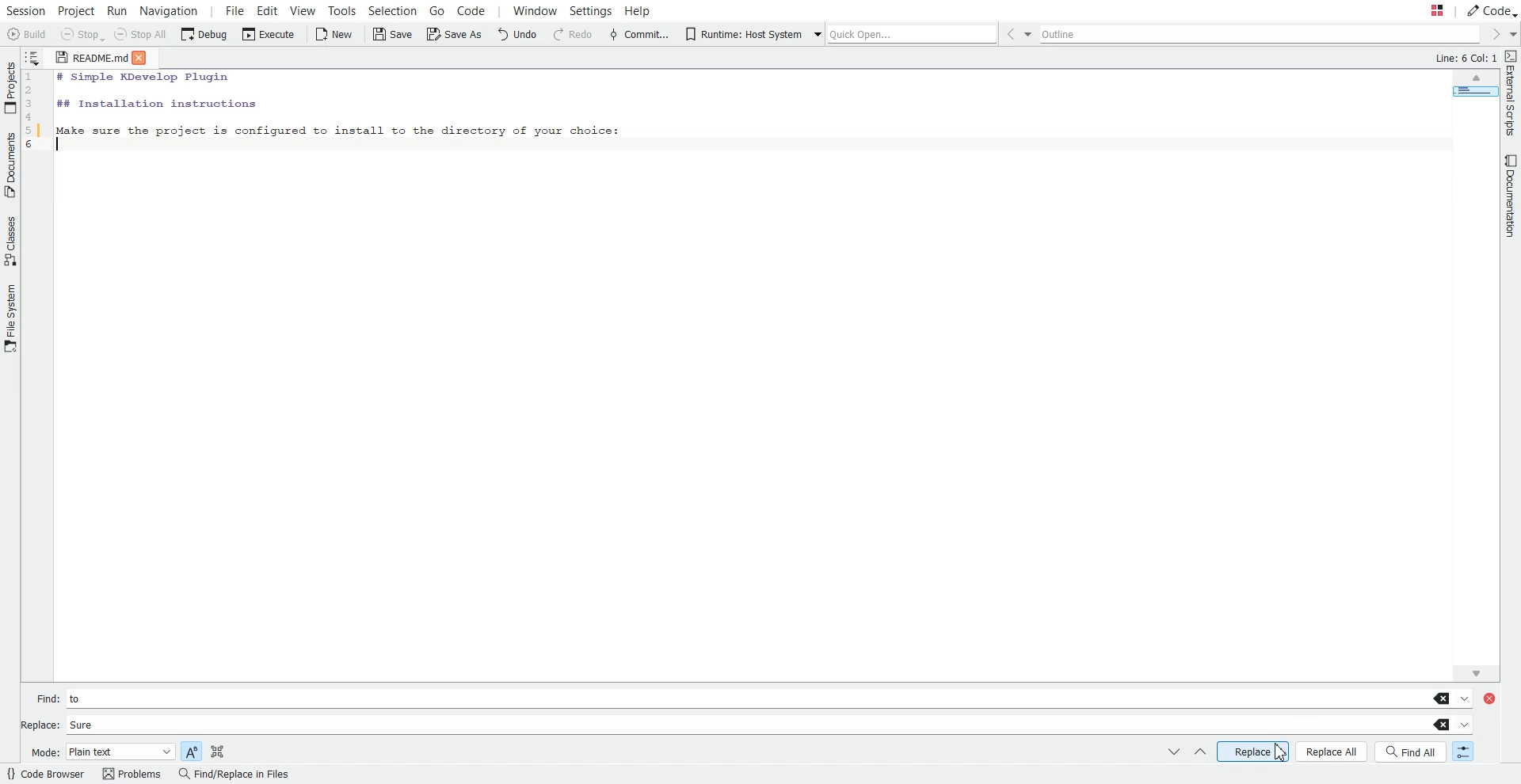  I want to click on Replace All, so click(1332, 752).